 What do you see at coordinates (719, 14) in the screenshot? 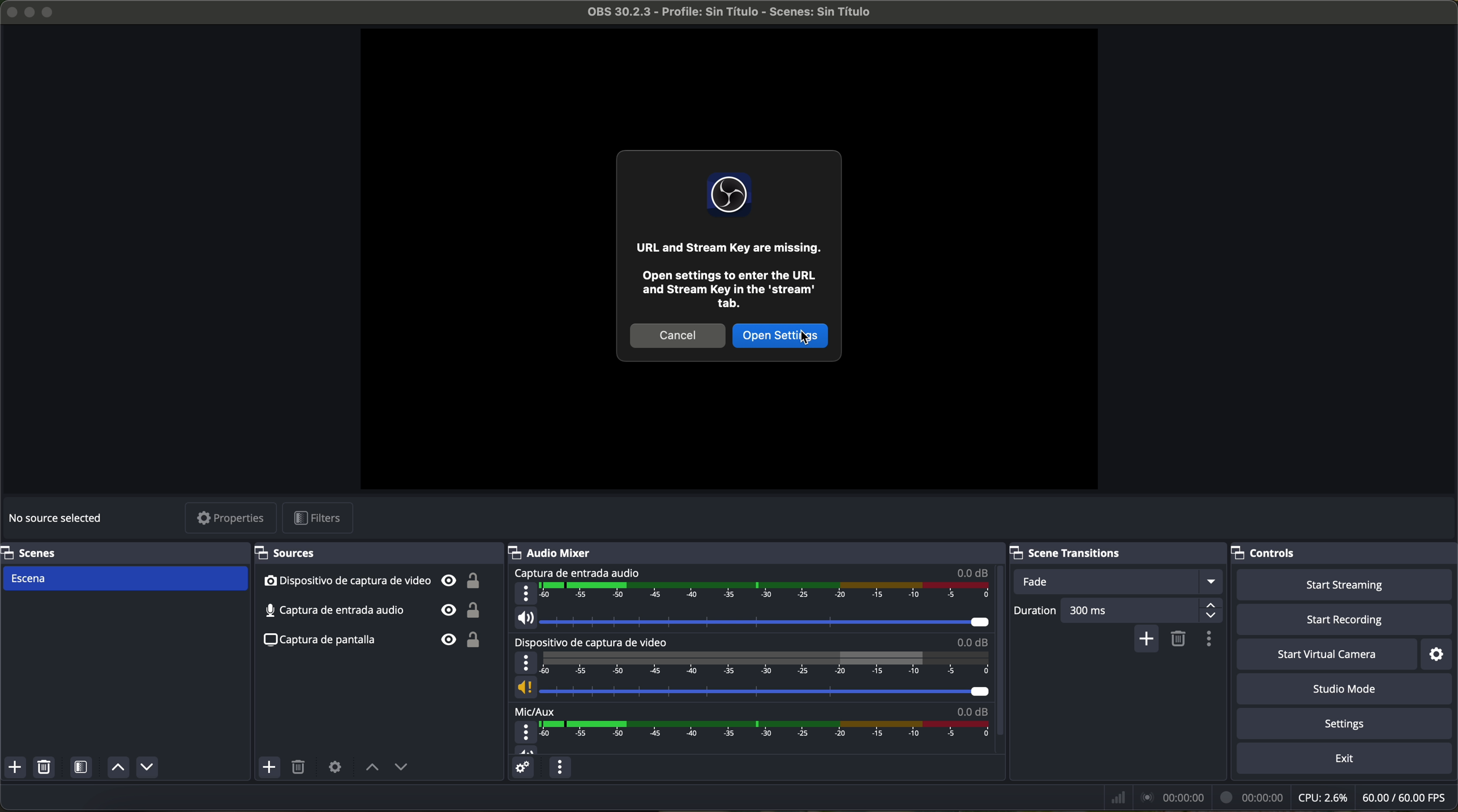
I see `file name` at bounding box center [719, 14].